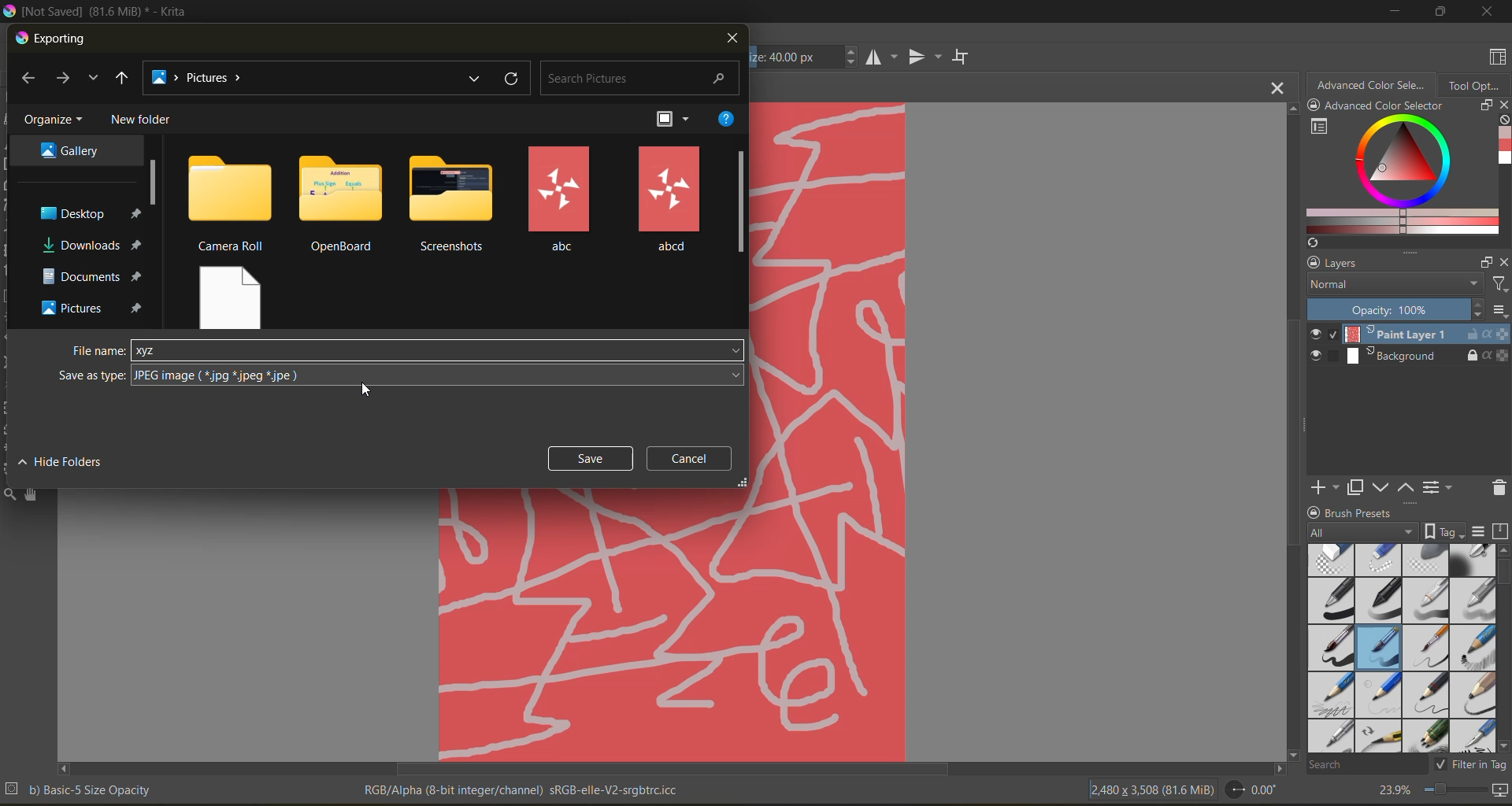 The image size is (1512, 806). I want to click on choose workspace, so click(1494, 59).